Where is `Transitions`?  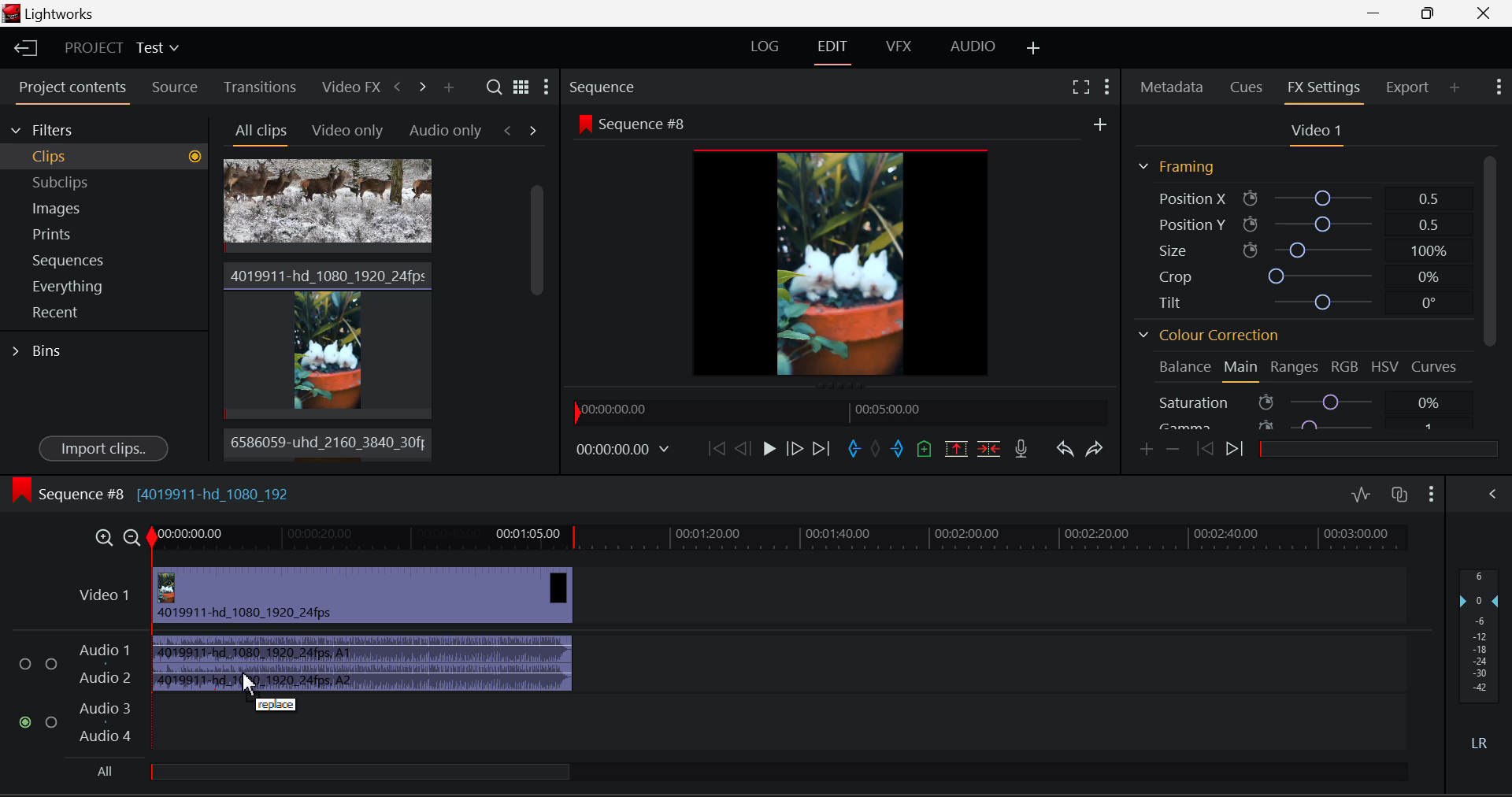
Transitions is located at coordinates (259, 86).